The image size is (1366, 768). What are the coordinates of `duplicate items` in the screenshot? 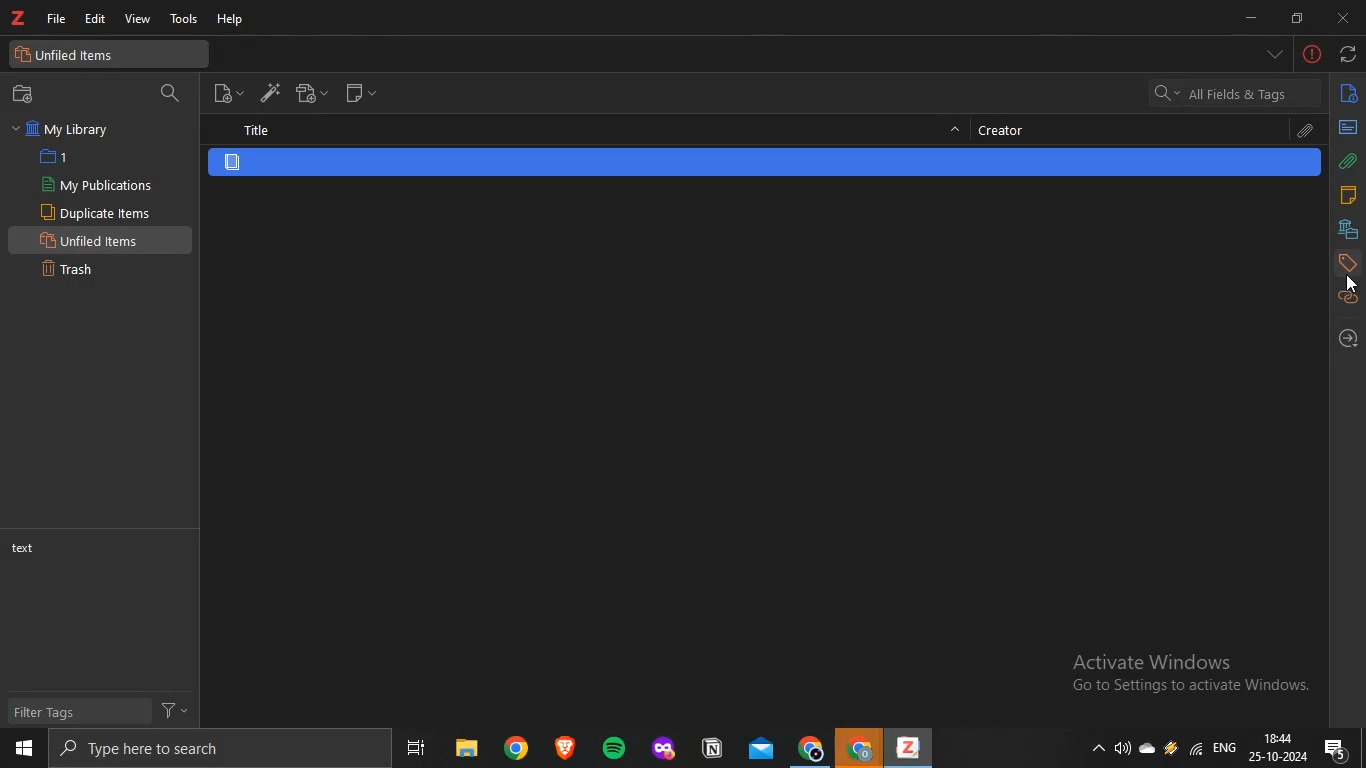 It's located at (99, 212).